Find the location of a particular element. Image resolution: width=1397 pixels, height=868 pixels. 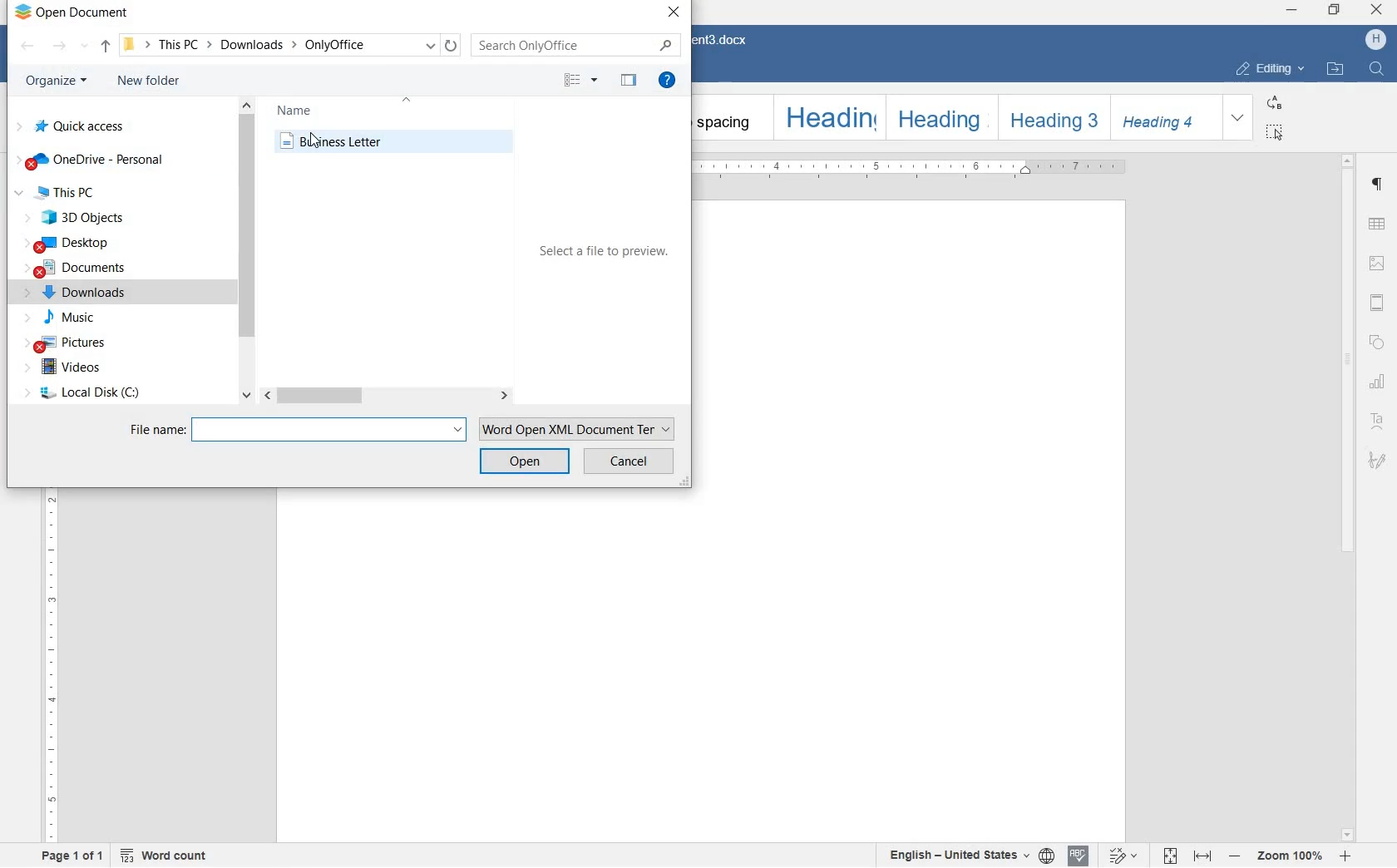

file path is located at coordinates (137, 45).